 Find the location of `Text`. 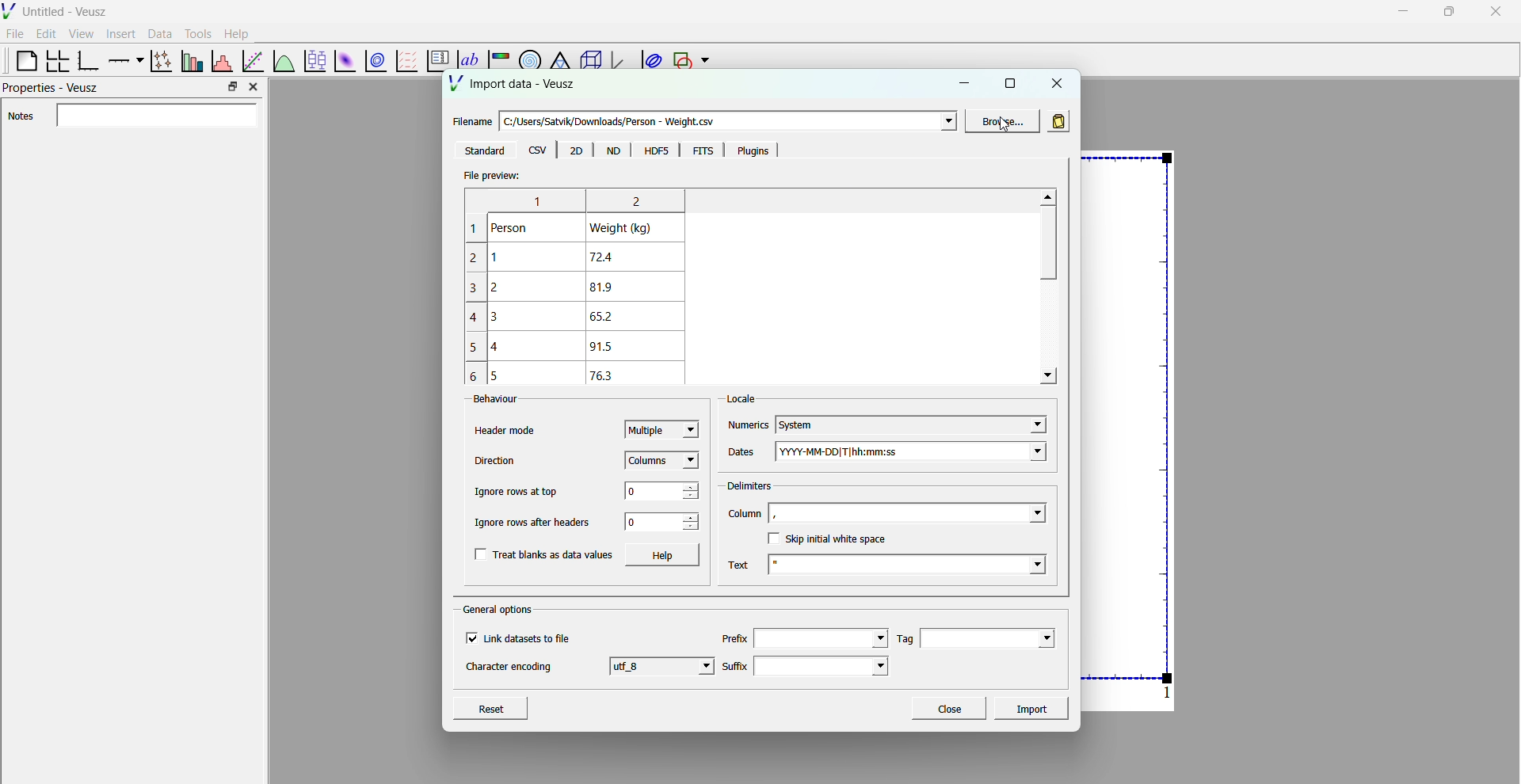

Text is located at coordinates (742, 561).